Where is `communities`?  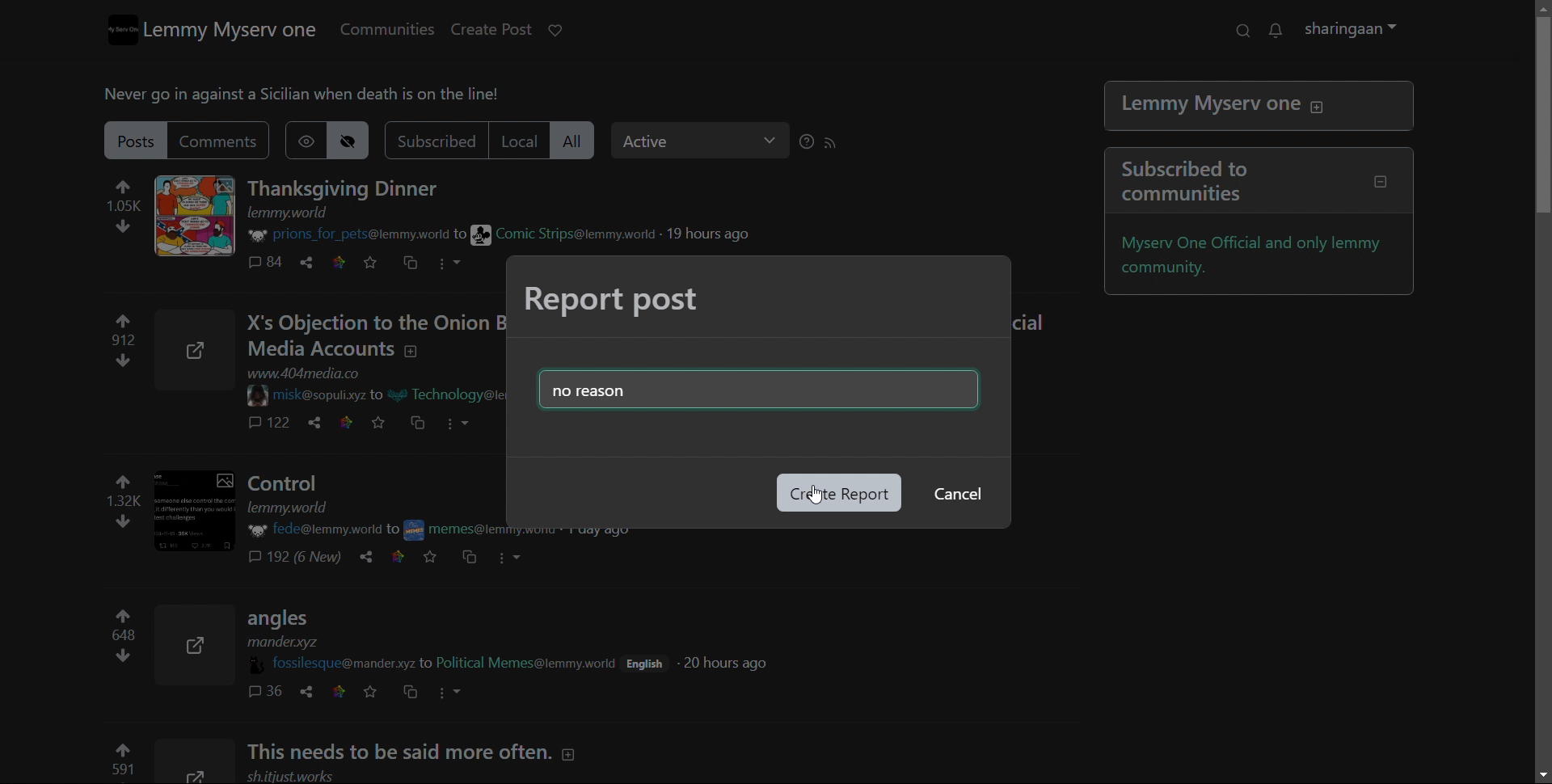
communities is located at coordinates (395, 29).